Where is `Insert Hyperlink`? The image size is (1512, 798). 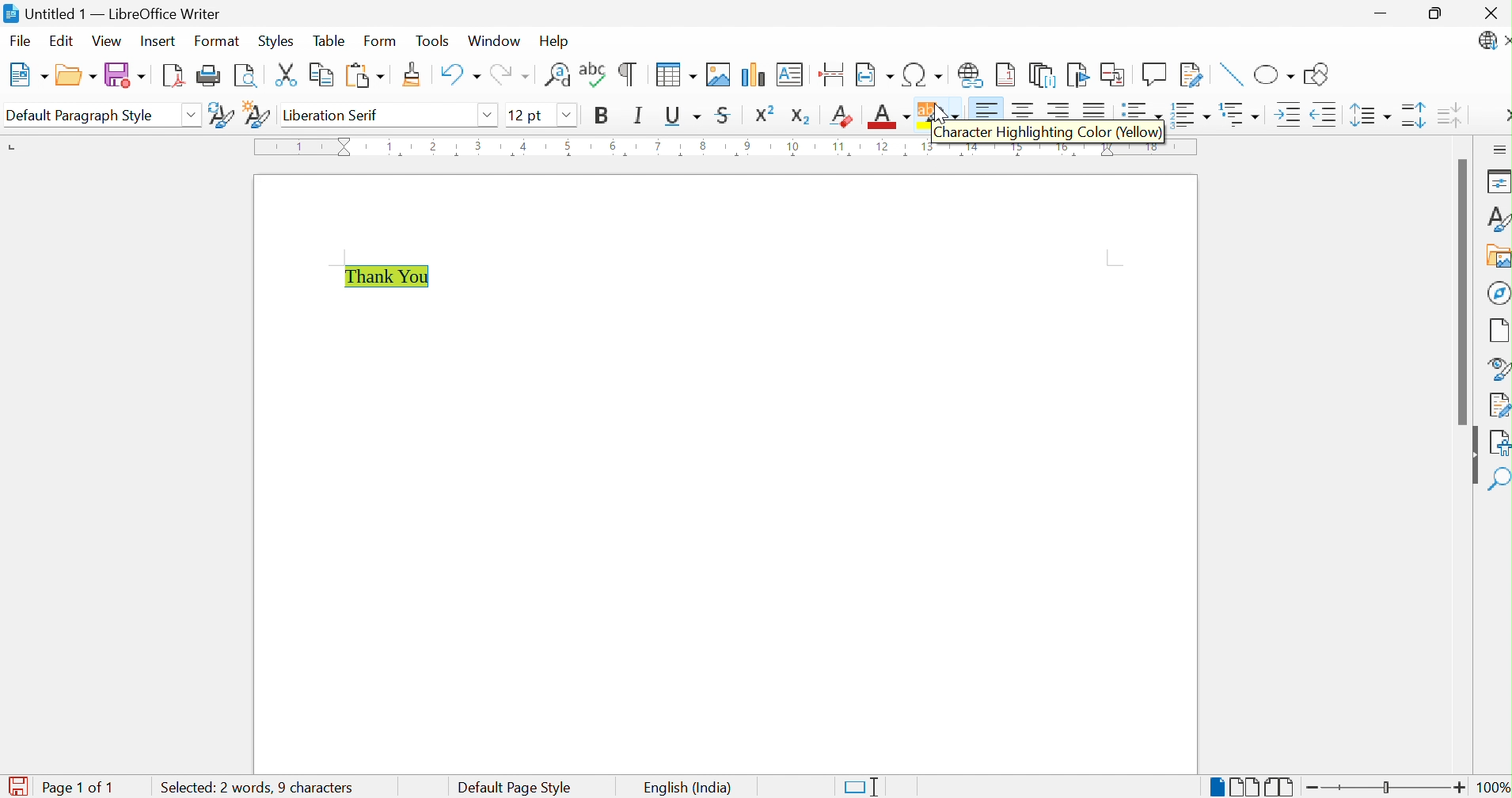
Insert Hyperlink is located at coordinates (971, 76).